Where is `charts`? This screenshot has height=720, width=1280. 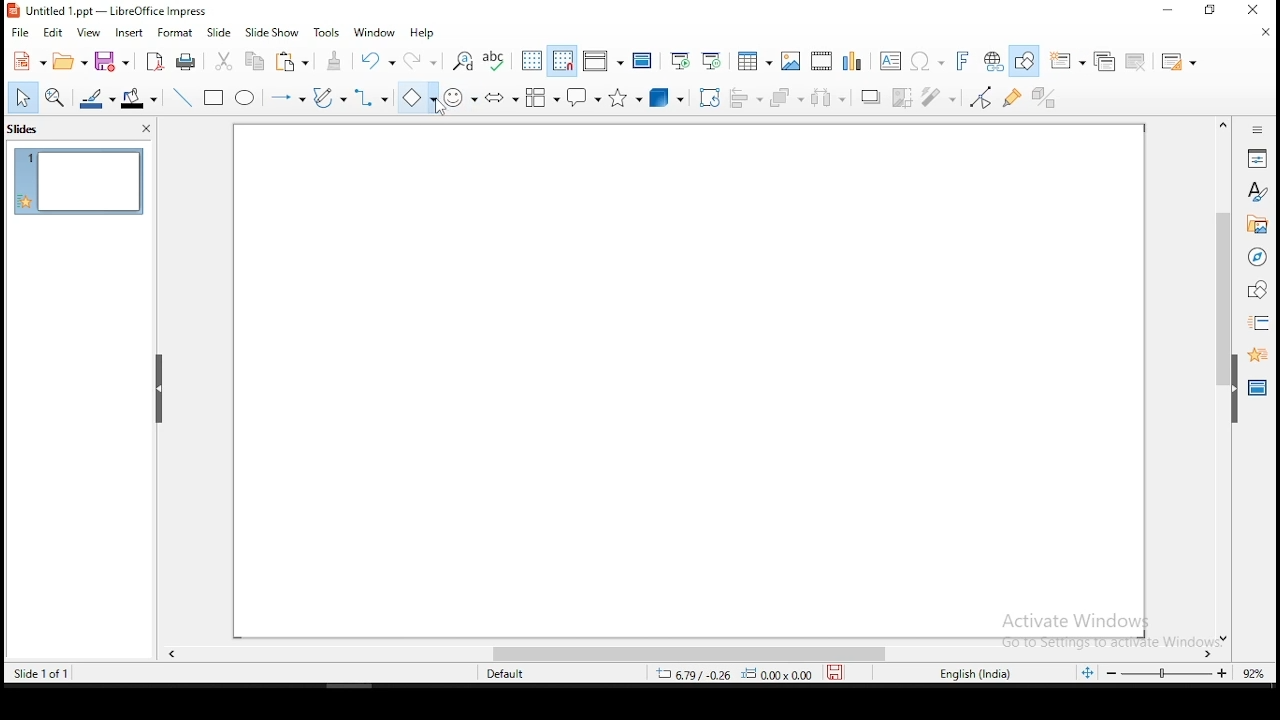
charts is located at coordinates (853, 59).